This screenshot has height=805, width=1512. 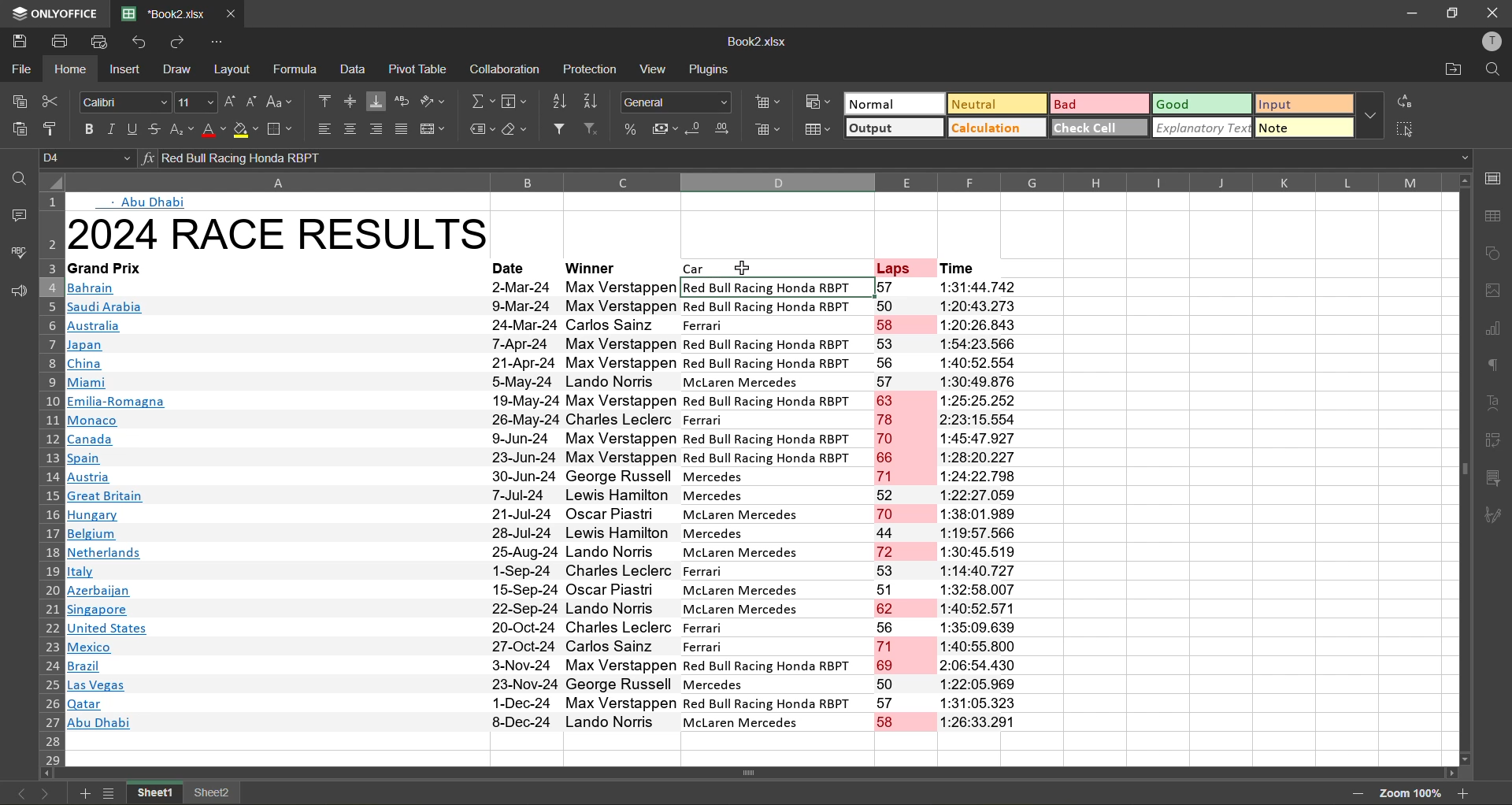 What do you see at coordinates (176, 72) in the screenshot?
I see `draw` at bounding box center [176, 72].